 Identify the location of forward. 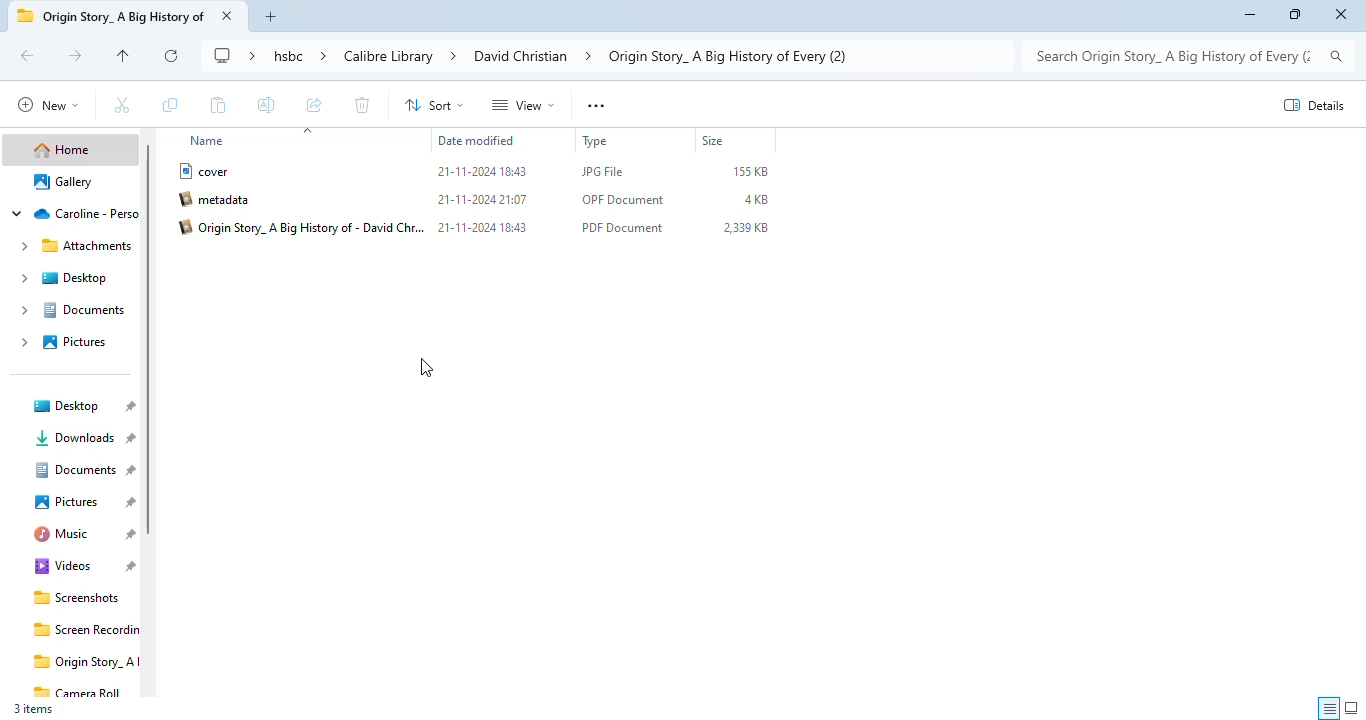
(75, 56).